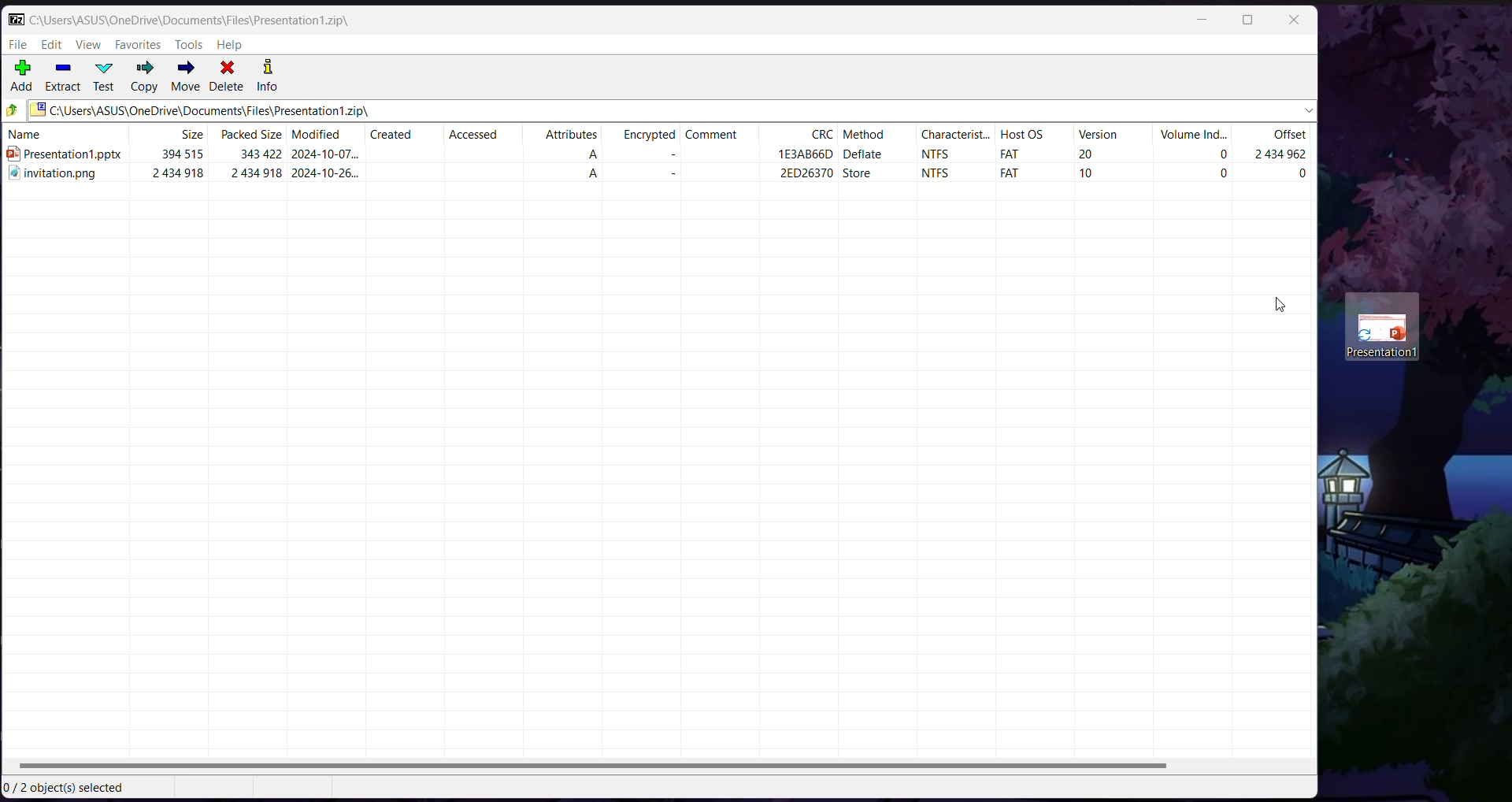  Describe the element at coordinates (715, 137) in the screenshot. I see `comment` at that location.